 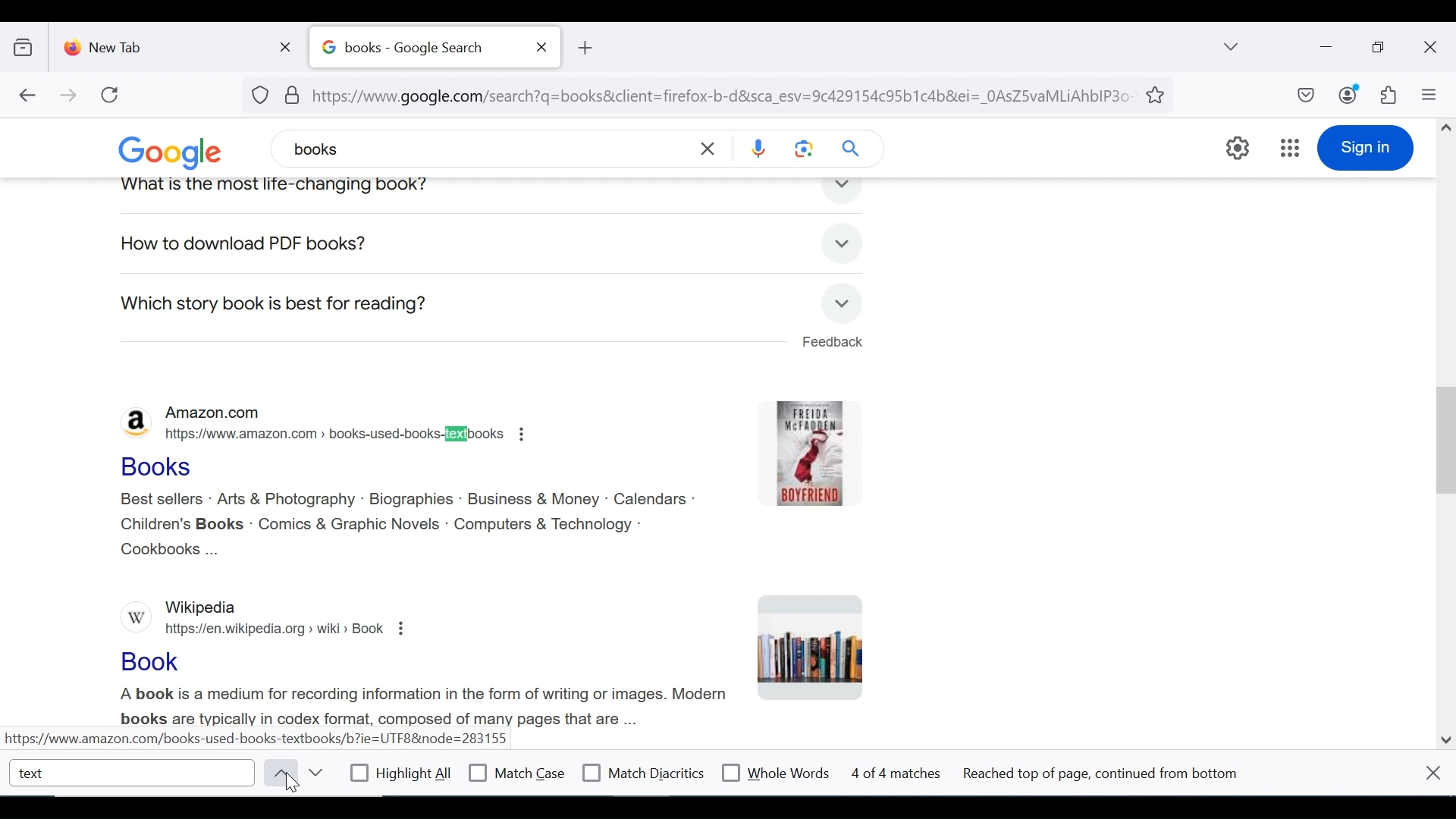 What do you see at coordinates (608, 243) in the screenshot?
I see `more` at bounding box center [608, 243].